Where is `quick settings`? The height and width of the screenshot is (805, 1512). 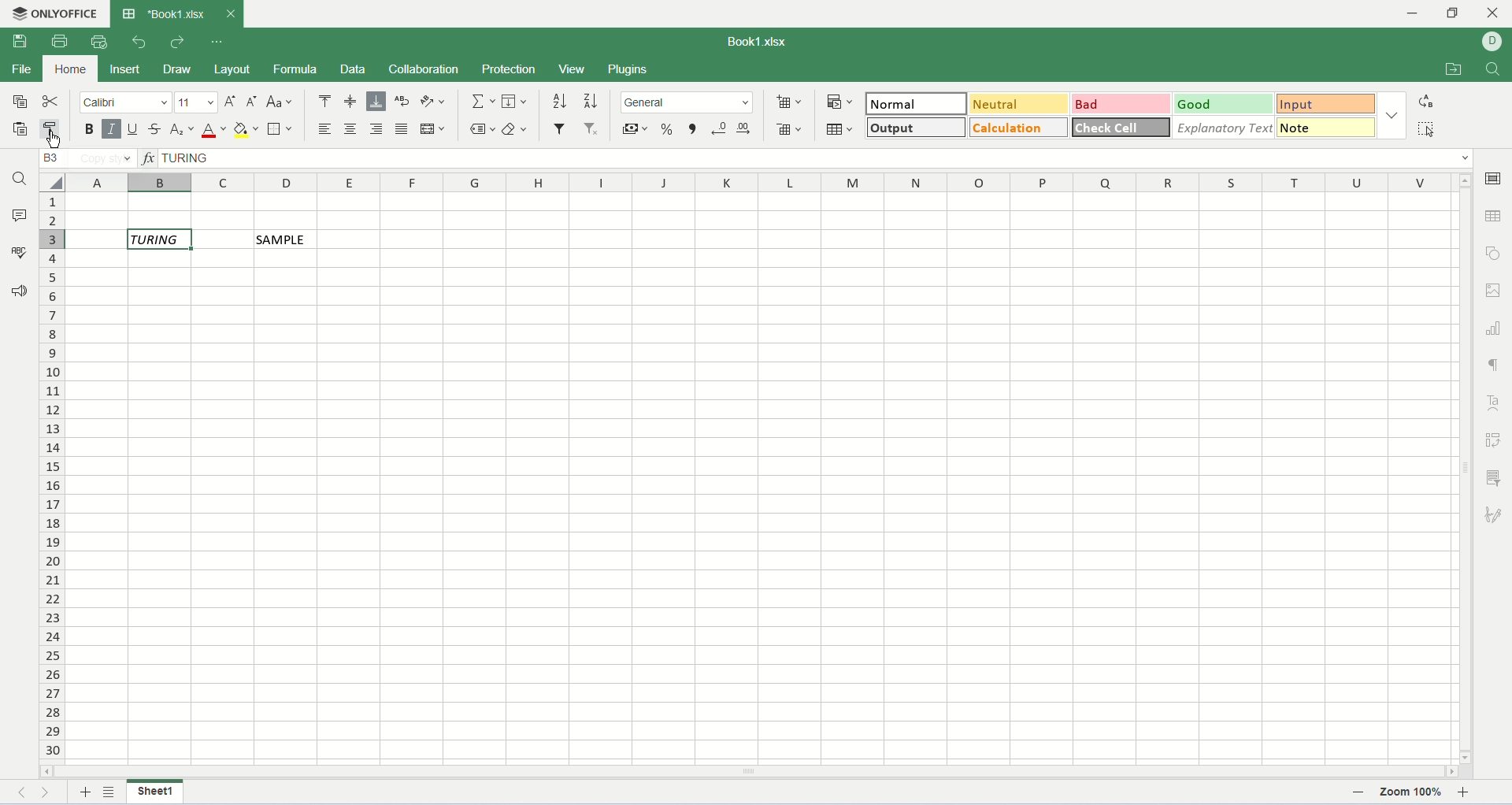
quick settings is located at coordinates (217, 43).